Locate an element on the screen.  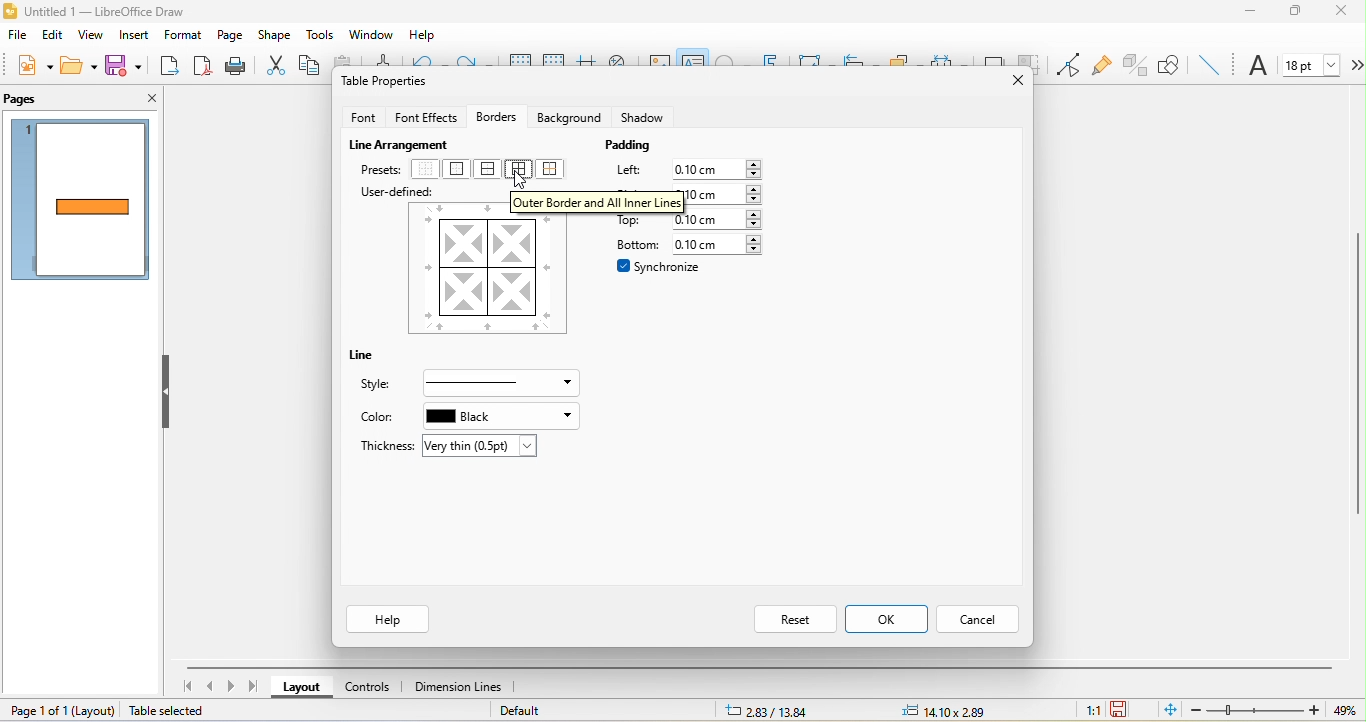
border style is located at coordinates (501, 384).